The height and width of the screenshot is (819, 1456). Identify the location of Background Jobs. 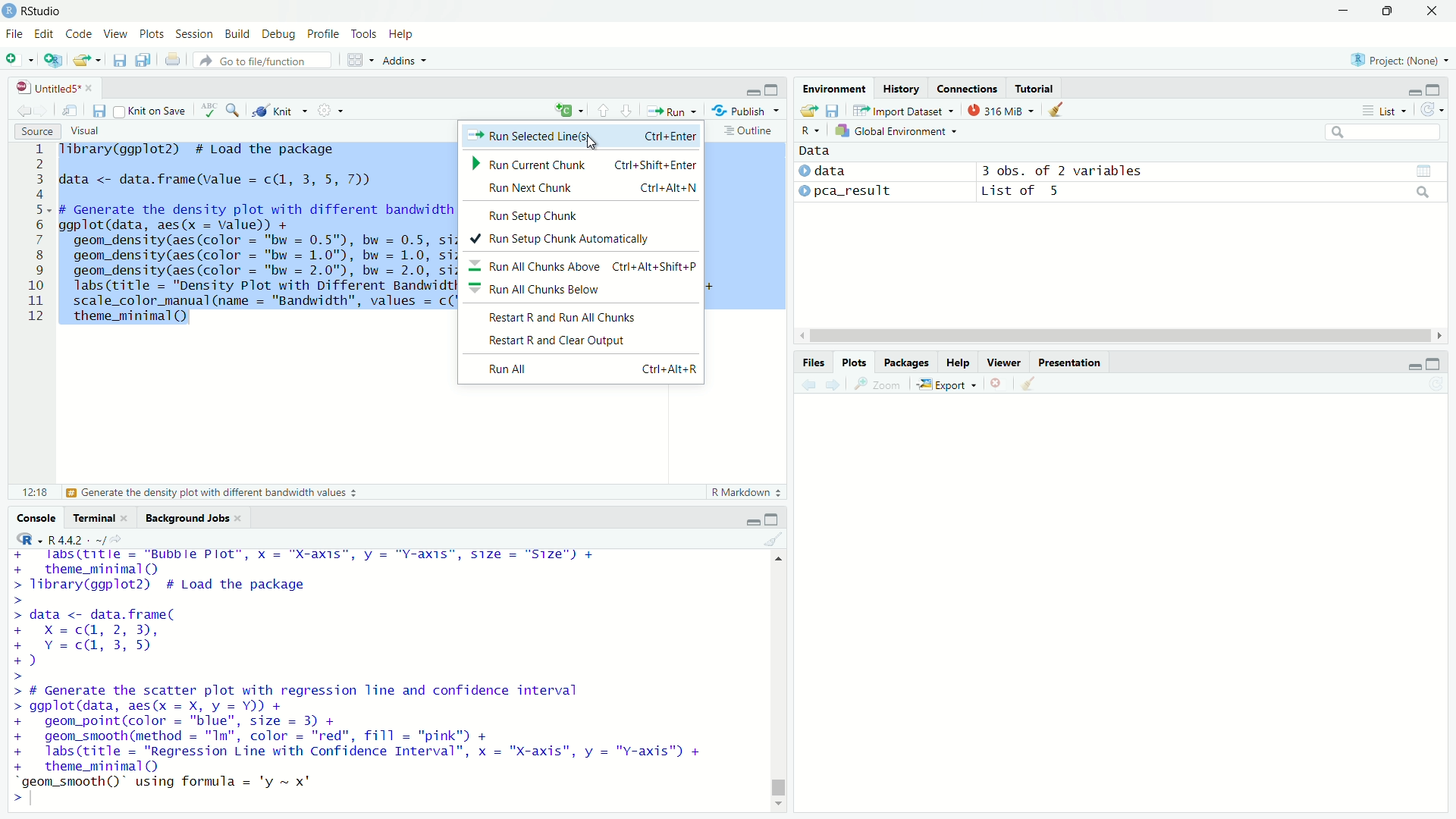
(187, 519).